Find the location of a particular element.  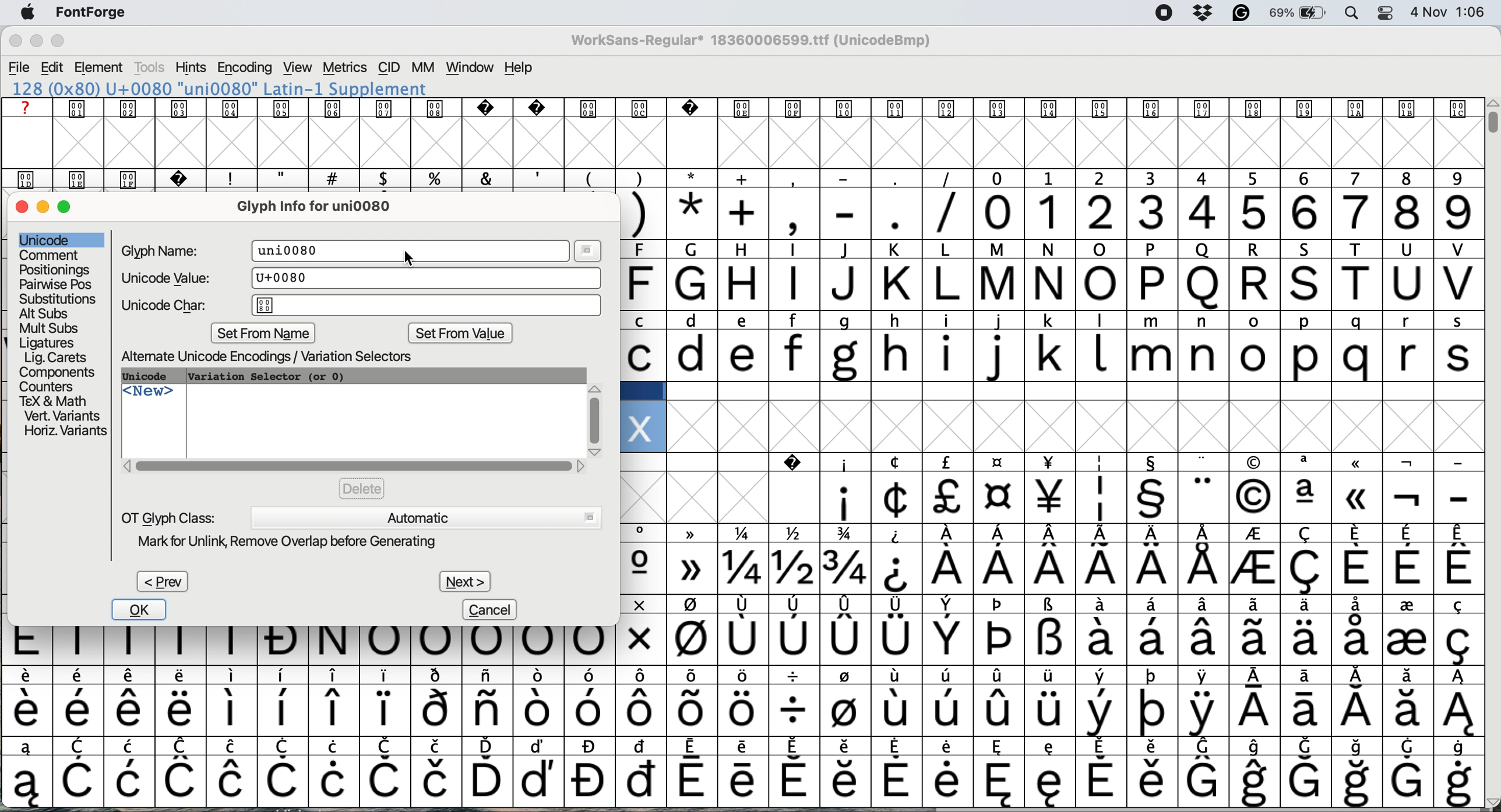

maximise is located at coordinates (71, 211).